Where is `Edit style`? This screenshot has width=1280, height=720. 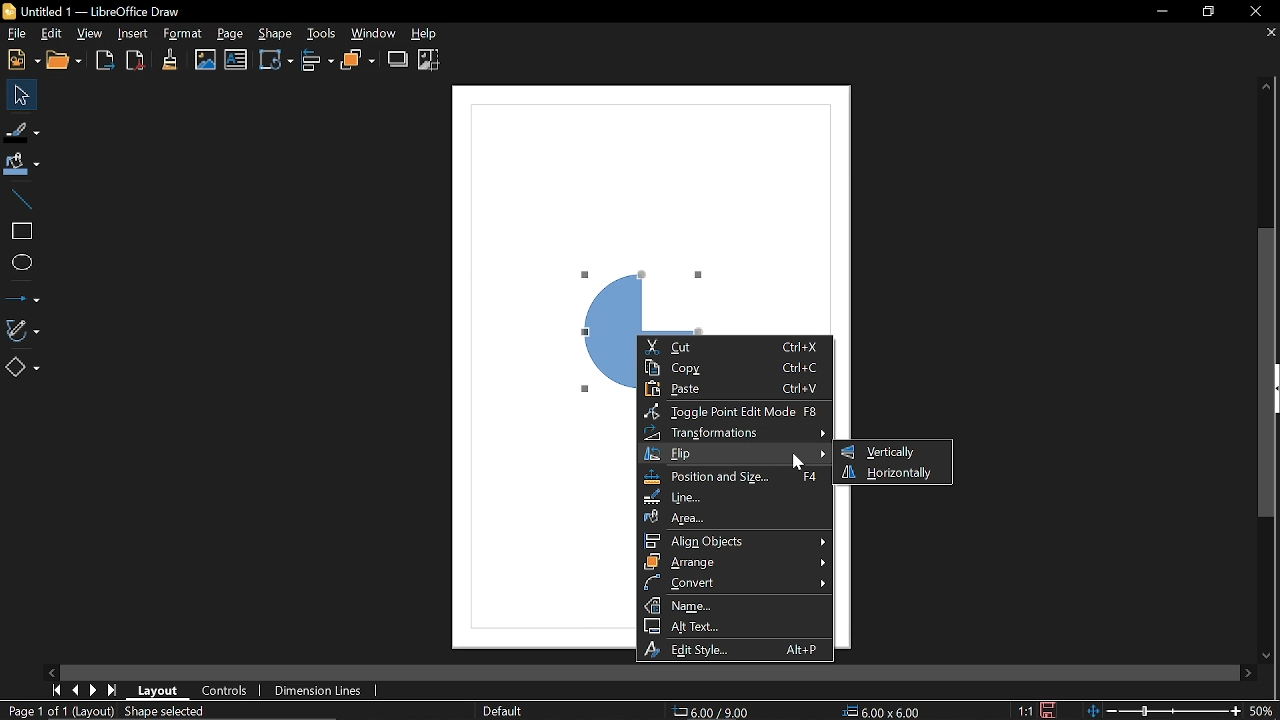 Edit style is located at coordinates (735, 649).